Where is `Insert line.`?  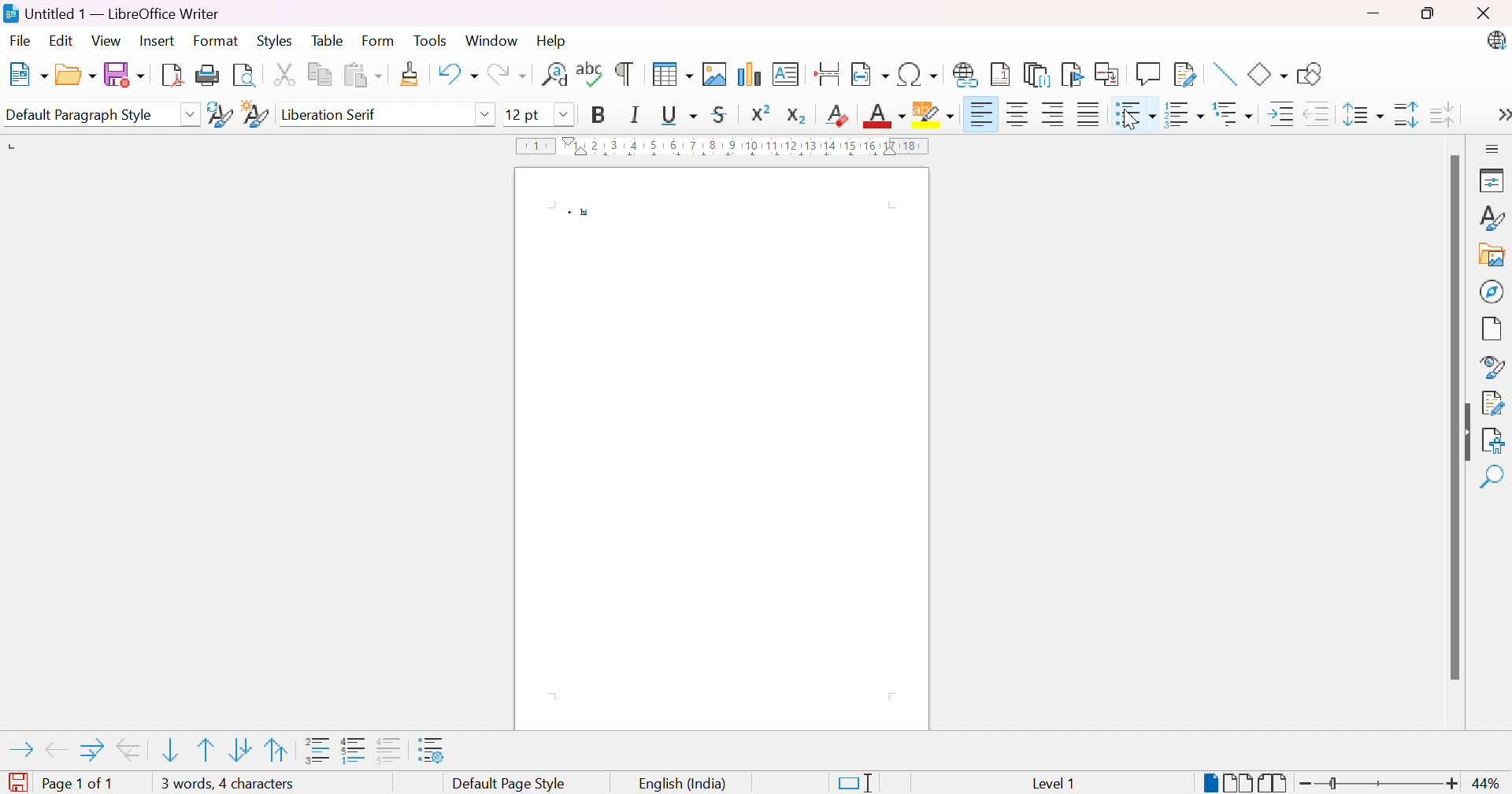 Insert line. is located at coordinates (1227, 75).